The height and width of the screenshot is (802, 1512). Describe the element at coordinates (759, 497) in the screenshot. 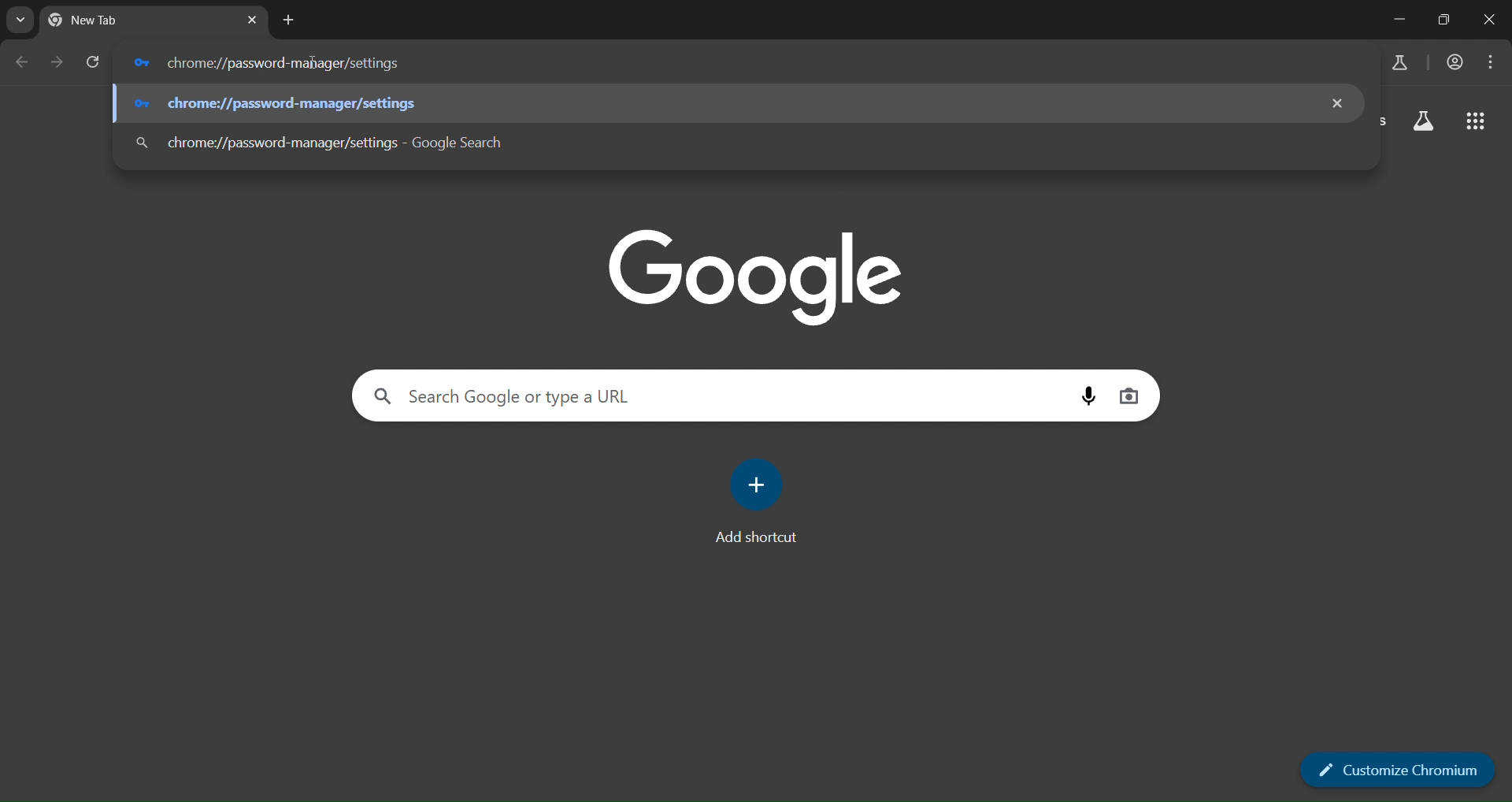

I see `add shortcut` at that location.